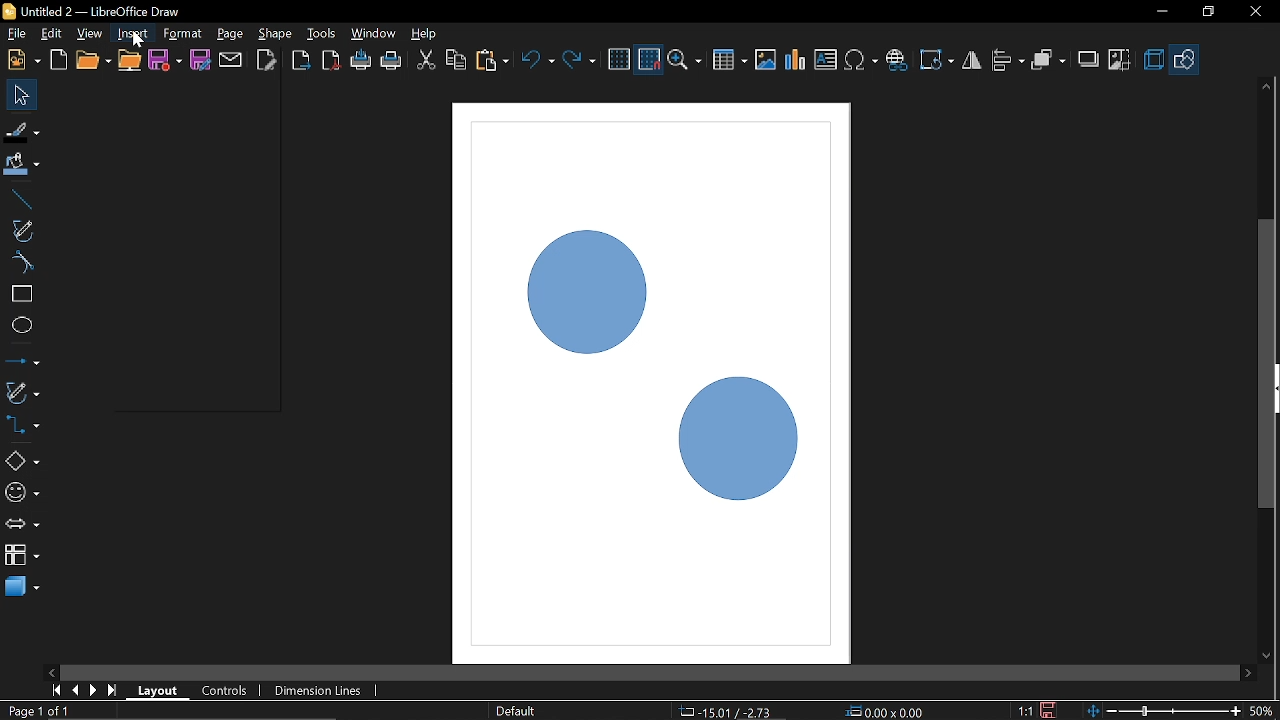 The width and height of the screenshot is (1280, 720). I want to click on Connector, so click(22, 424).